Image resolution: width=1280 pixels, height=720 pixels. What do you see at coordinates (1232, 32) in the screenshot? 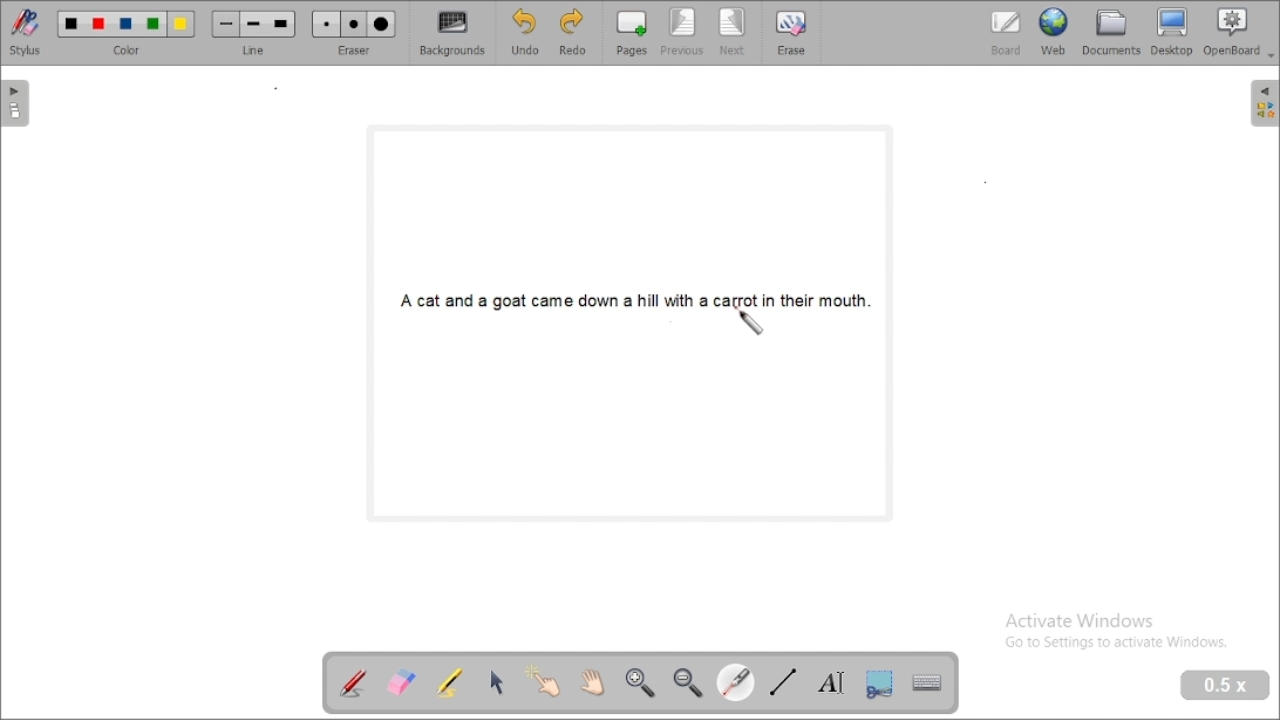
I see `openboard` at bounding box center [1232, 32].